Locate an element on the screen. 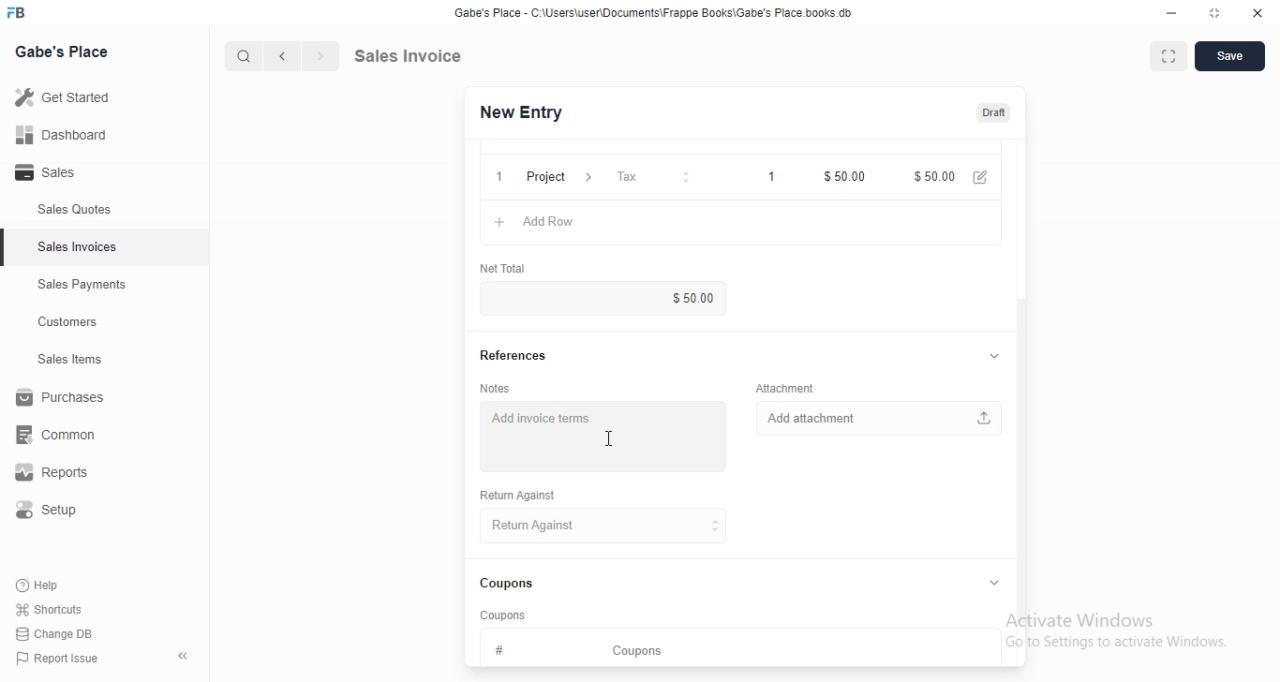  Sales Quotes is located at coordinates (64, 210).